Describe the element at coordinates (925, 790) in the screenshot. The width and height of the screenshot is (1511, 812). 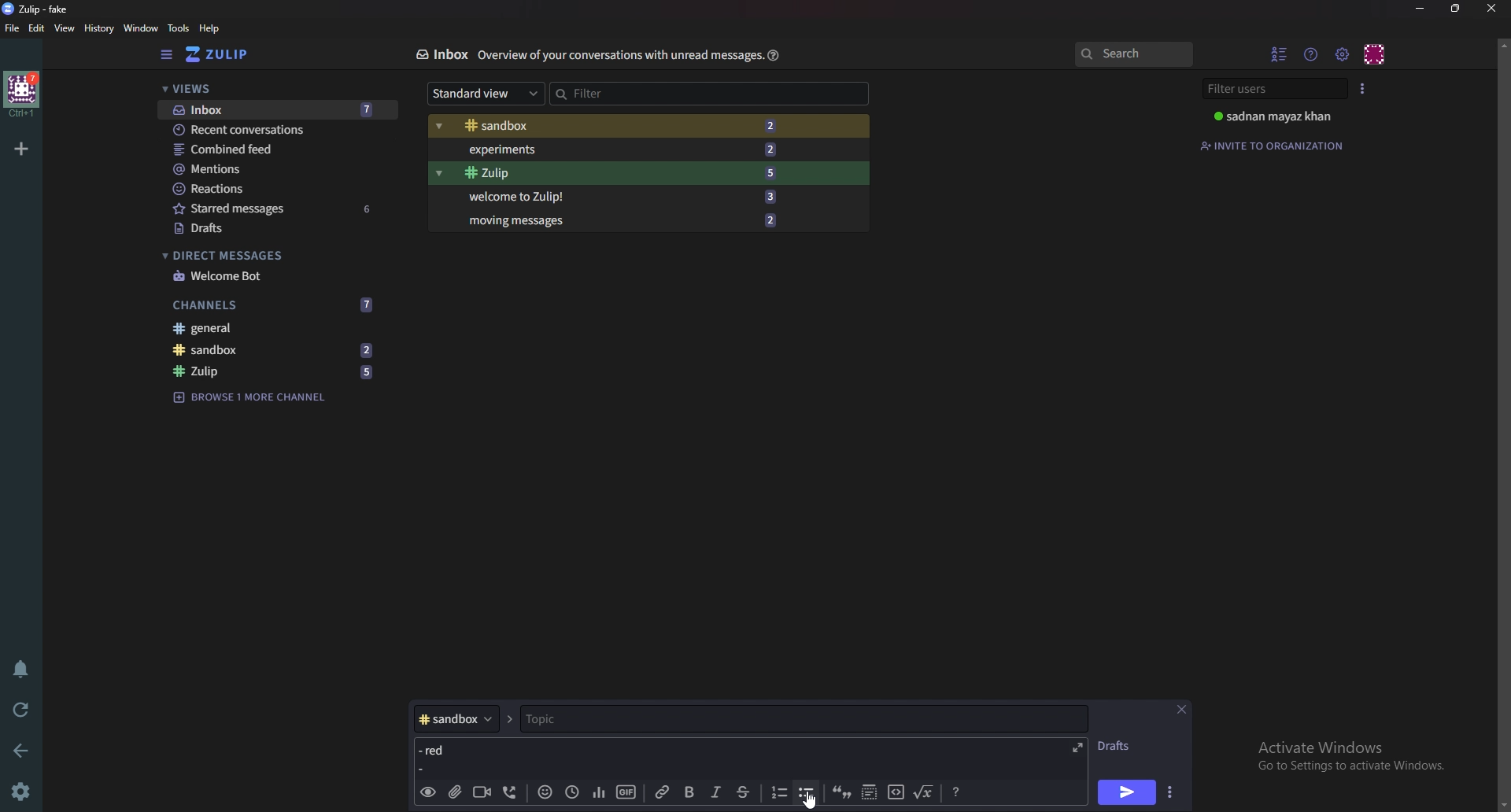
I see `Math` at that location.